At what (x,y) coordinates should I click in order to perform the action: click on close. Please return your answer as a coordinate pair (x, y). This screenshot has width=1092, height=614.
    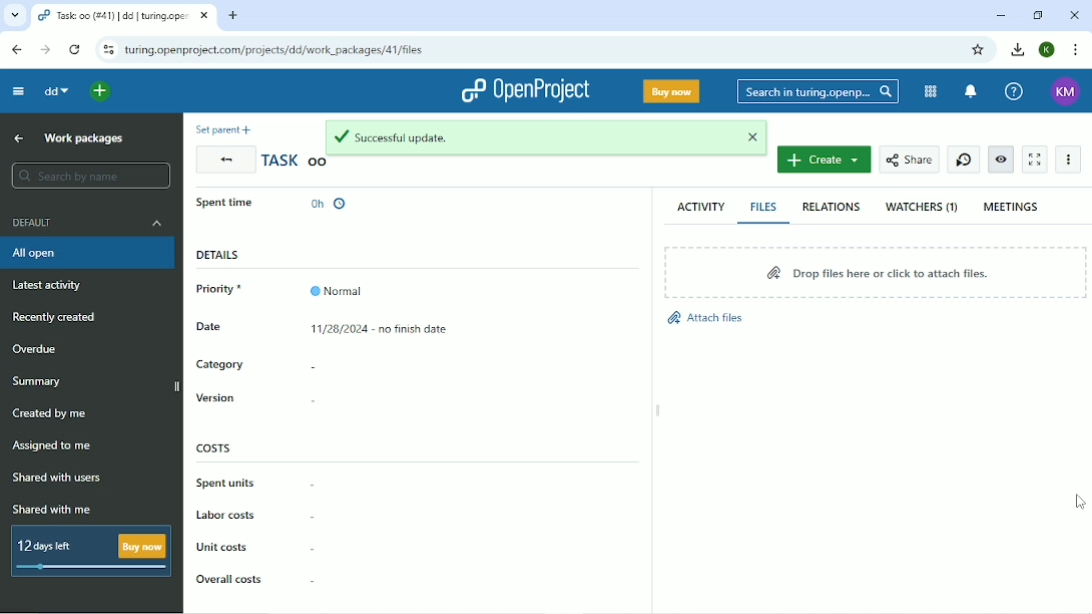
    Looking at the image, I should click on (754, 138).